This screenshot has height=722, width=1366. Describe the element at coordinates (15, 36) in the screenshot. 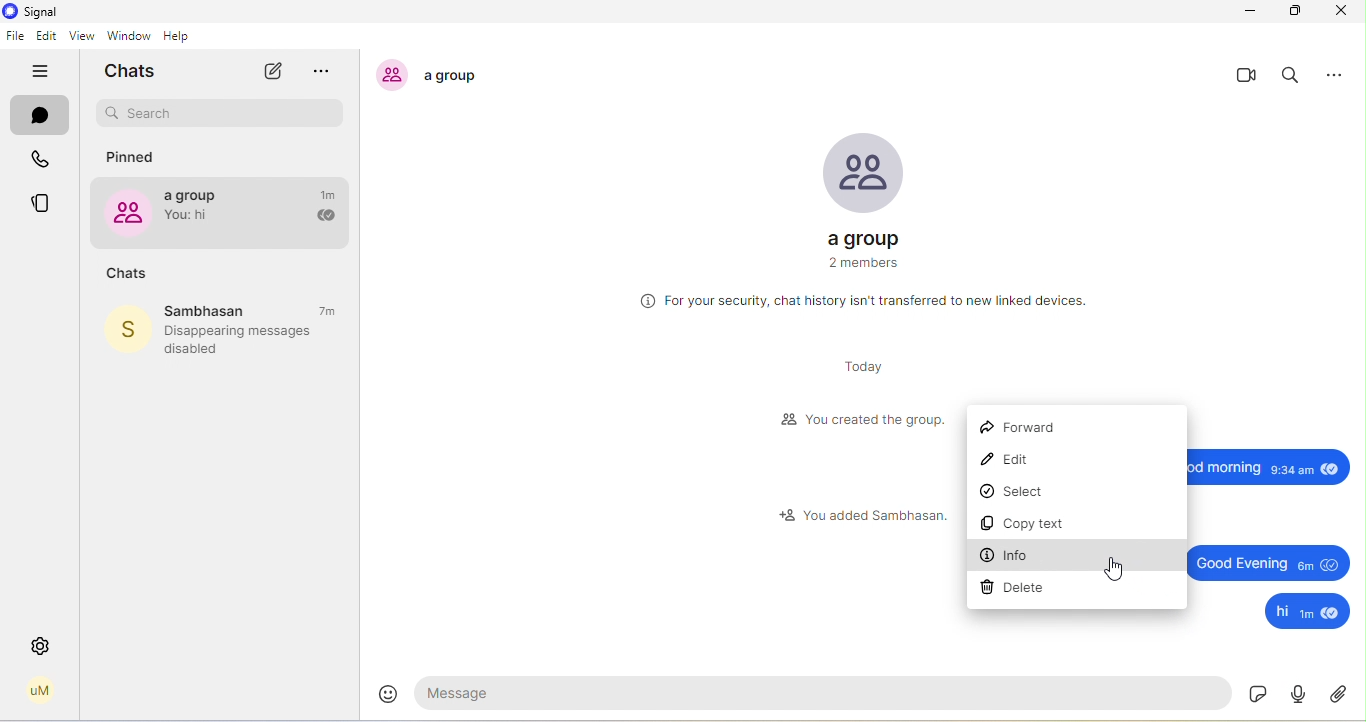

I see `file` at that location.